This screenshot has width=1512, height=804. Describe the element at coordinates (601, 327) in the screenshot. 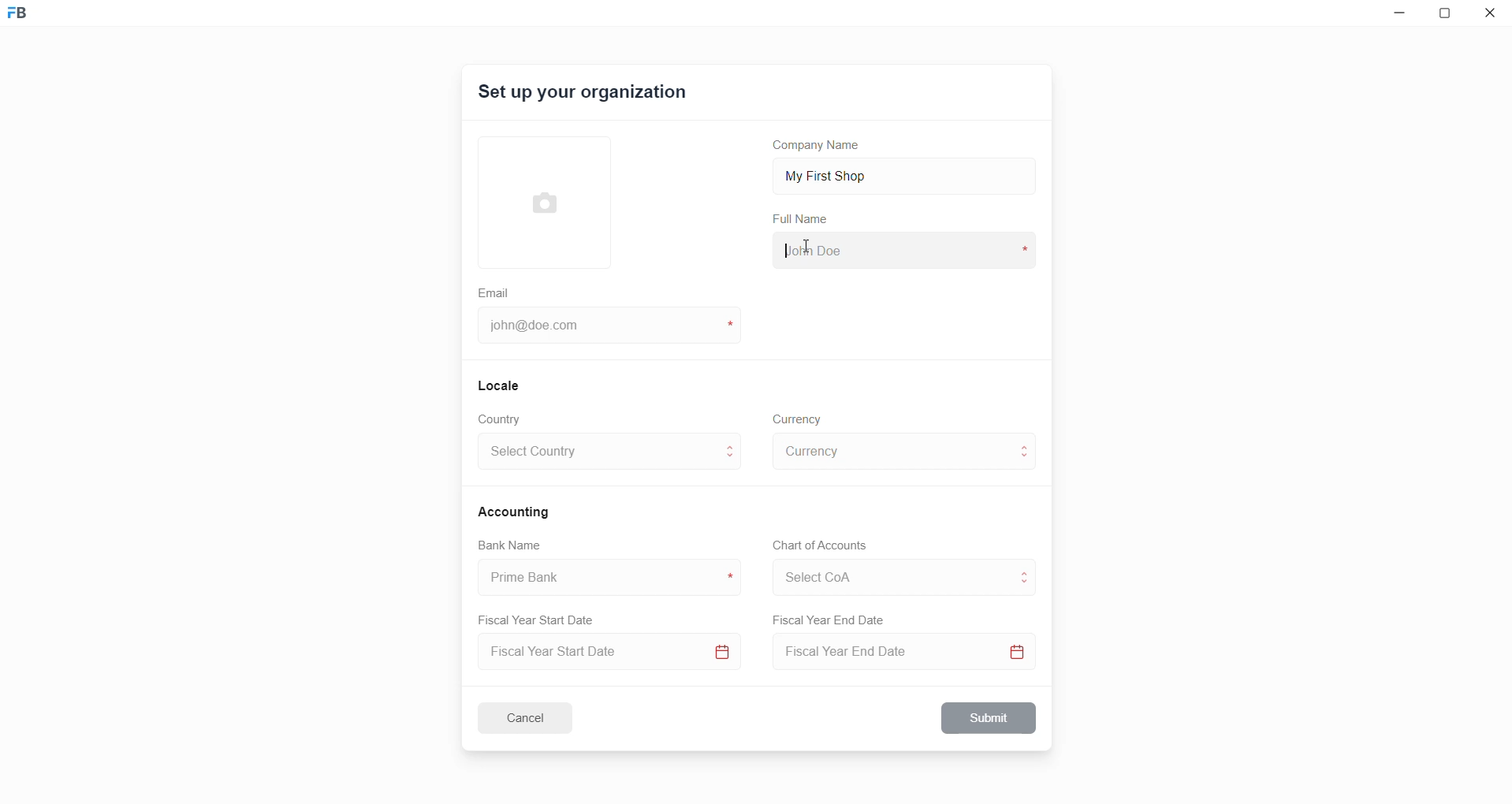

I see `email id input box` at that location.